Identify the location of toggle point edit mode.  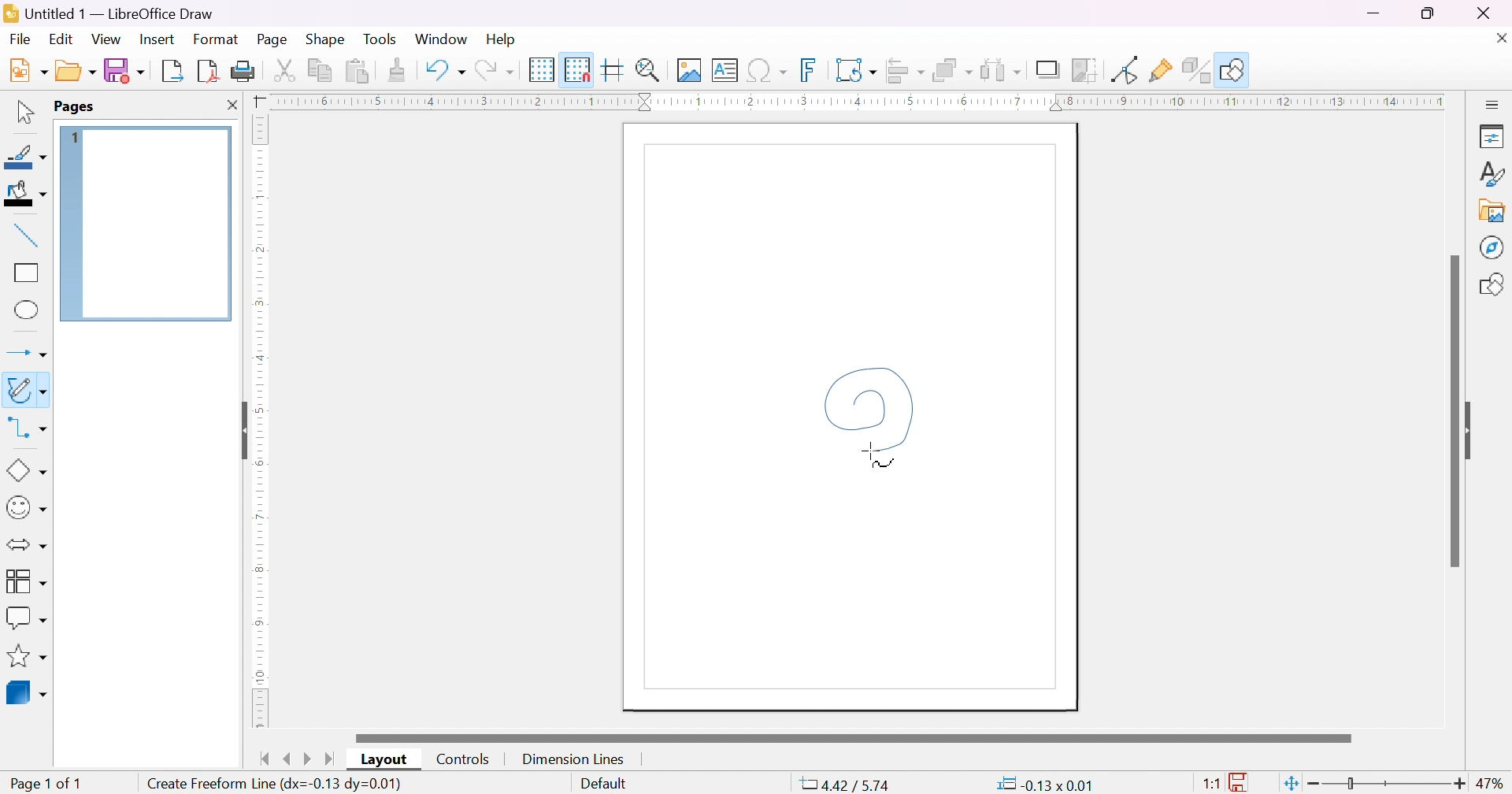
(1128, 69).